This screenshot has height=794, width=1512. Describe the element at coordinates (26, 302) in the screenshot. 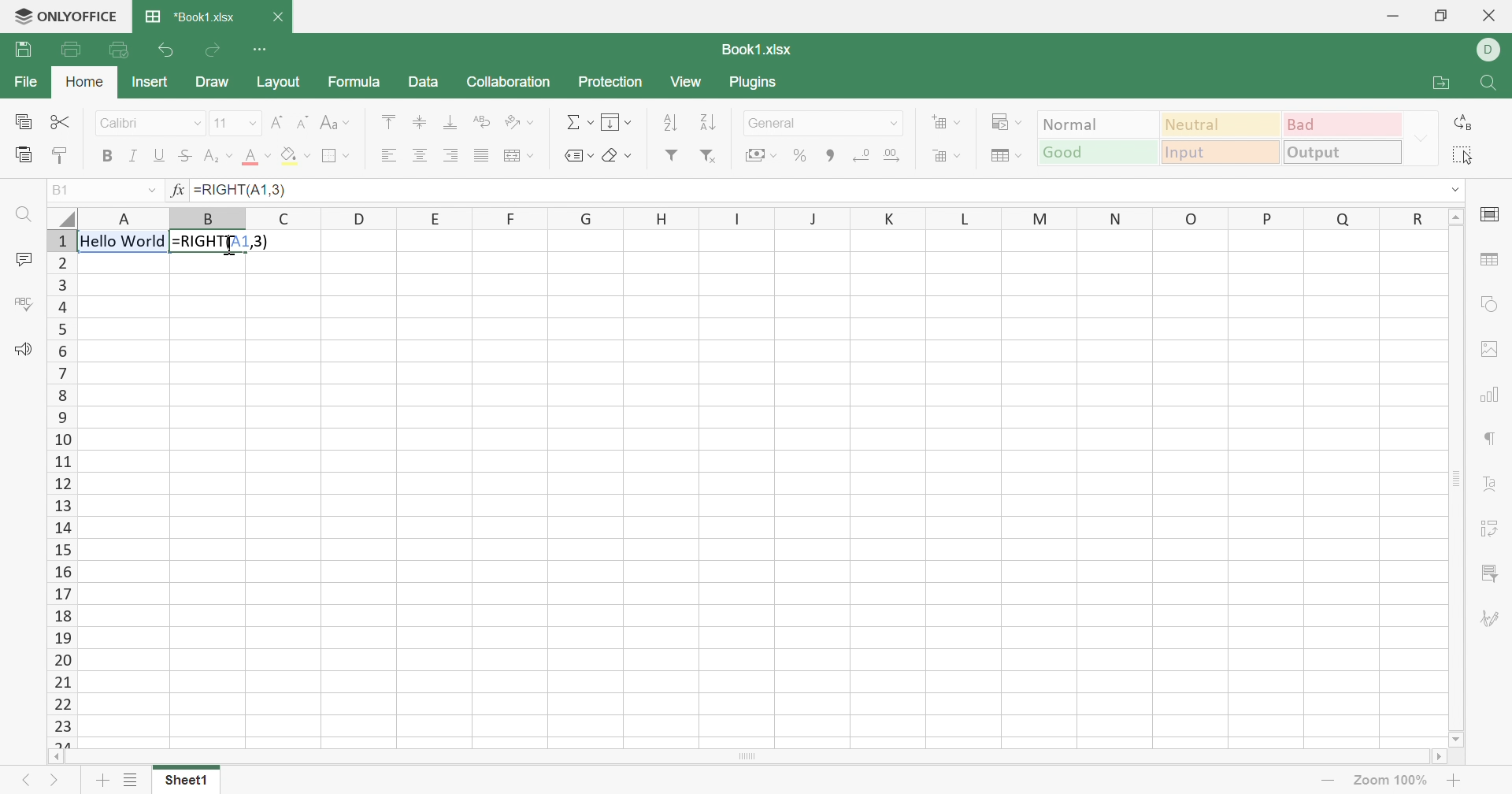

I see `Spell checking` at that location.